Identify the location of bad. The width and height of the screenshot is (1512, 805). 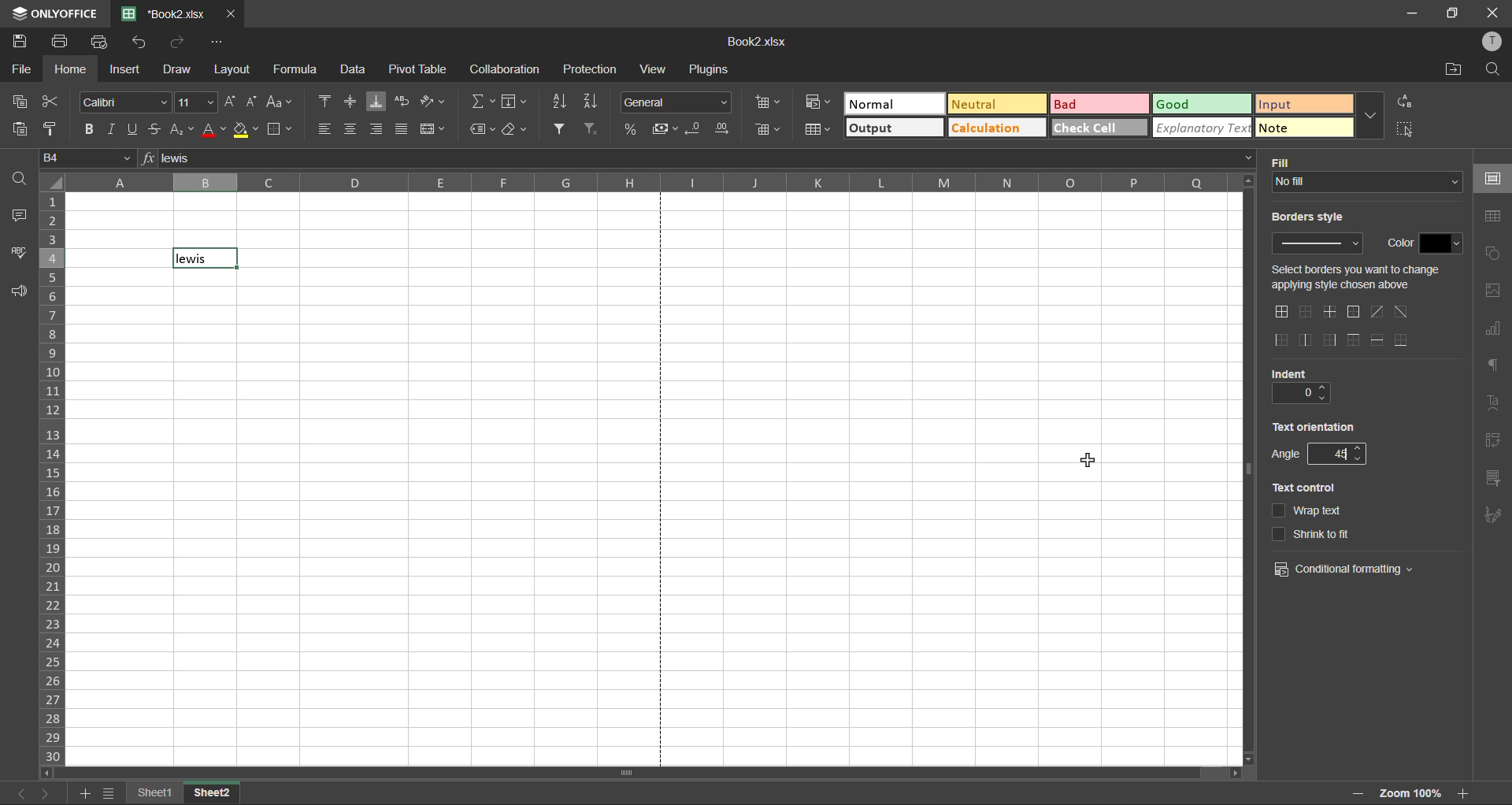
(1102, 103).